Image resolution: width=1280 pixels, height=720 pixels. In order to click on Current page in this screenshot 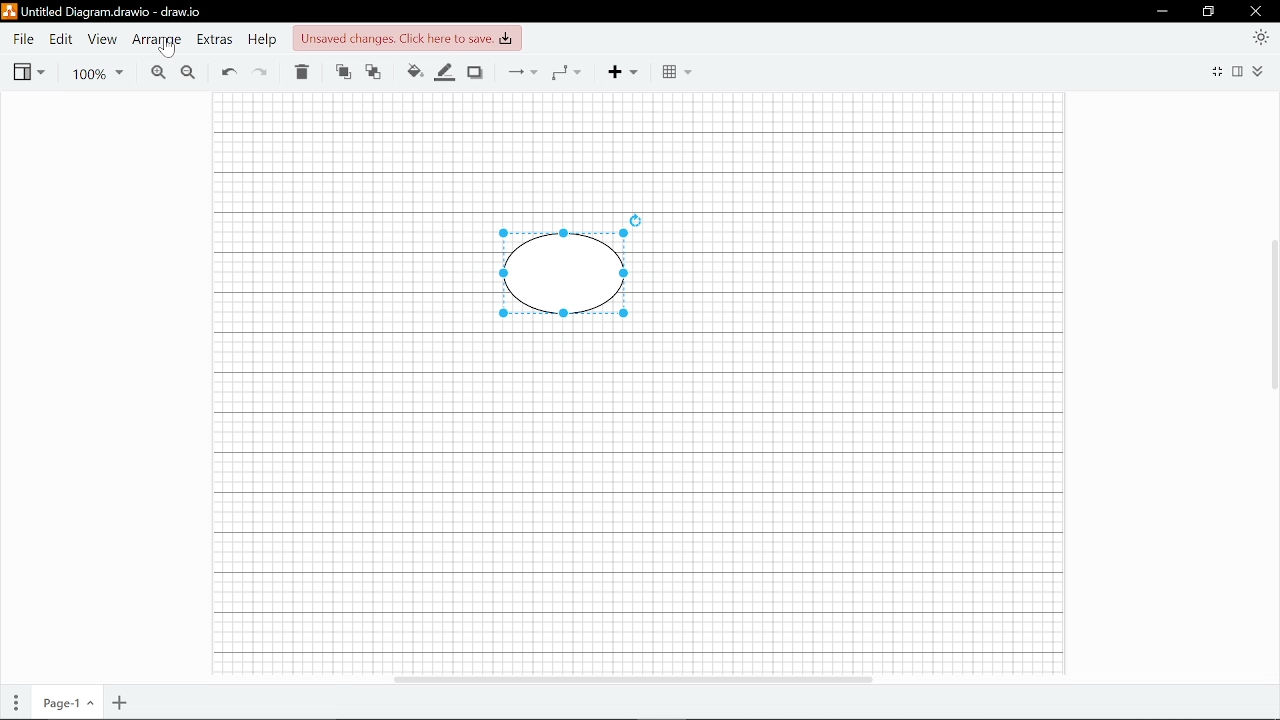, I will do `click(69, 704)`.